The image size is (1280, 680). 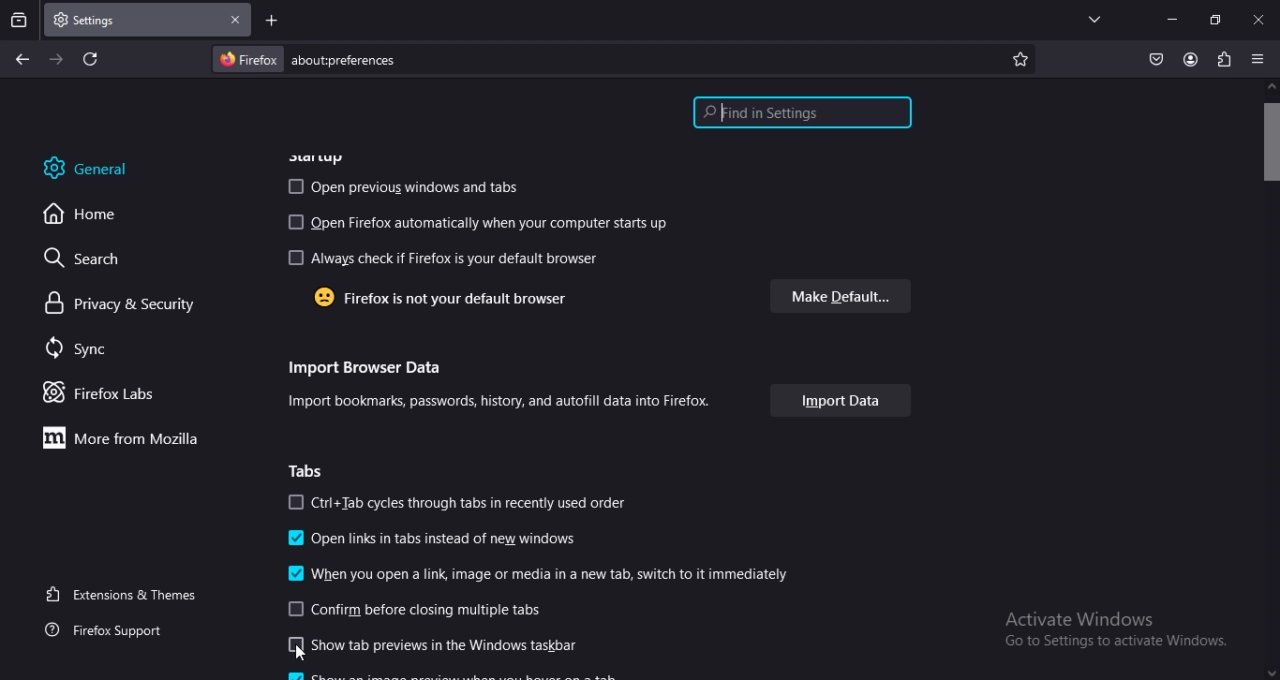 What do you see at coordinates (843, 294) in the screenshot?
I see `make default` at bounding box center [843, 294].